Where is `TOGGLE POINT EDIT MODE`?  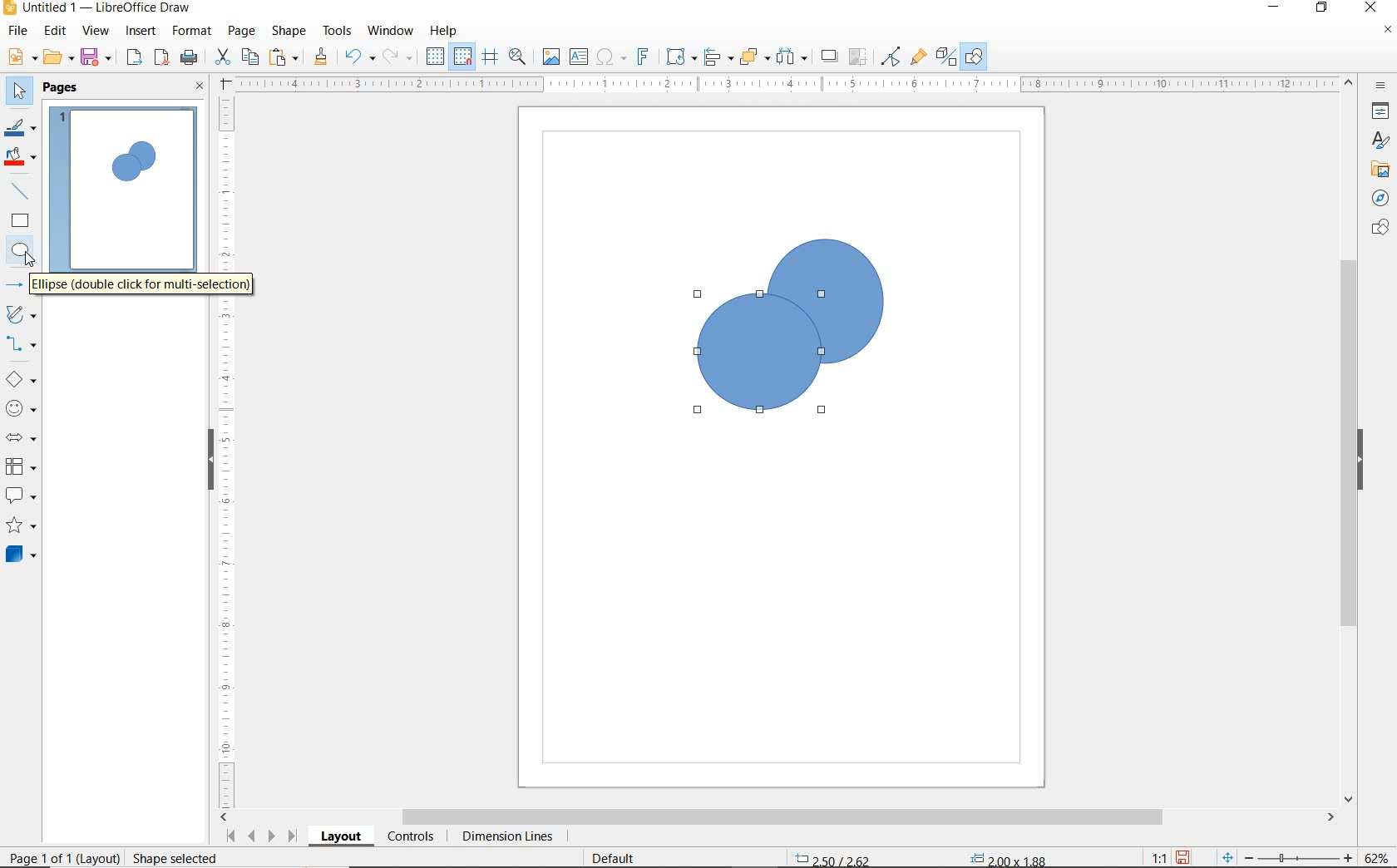
TOGGLE POINT EDIT MODE is located at coordinates (891, 57).